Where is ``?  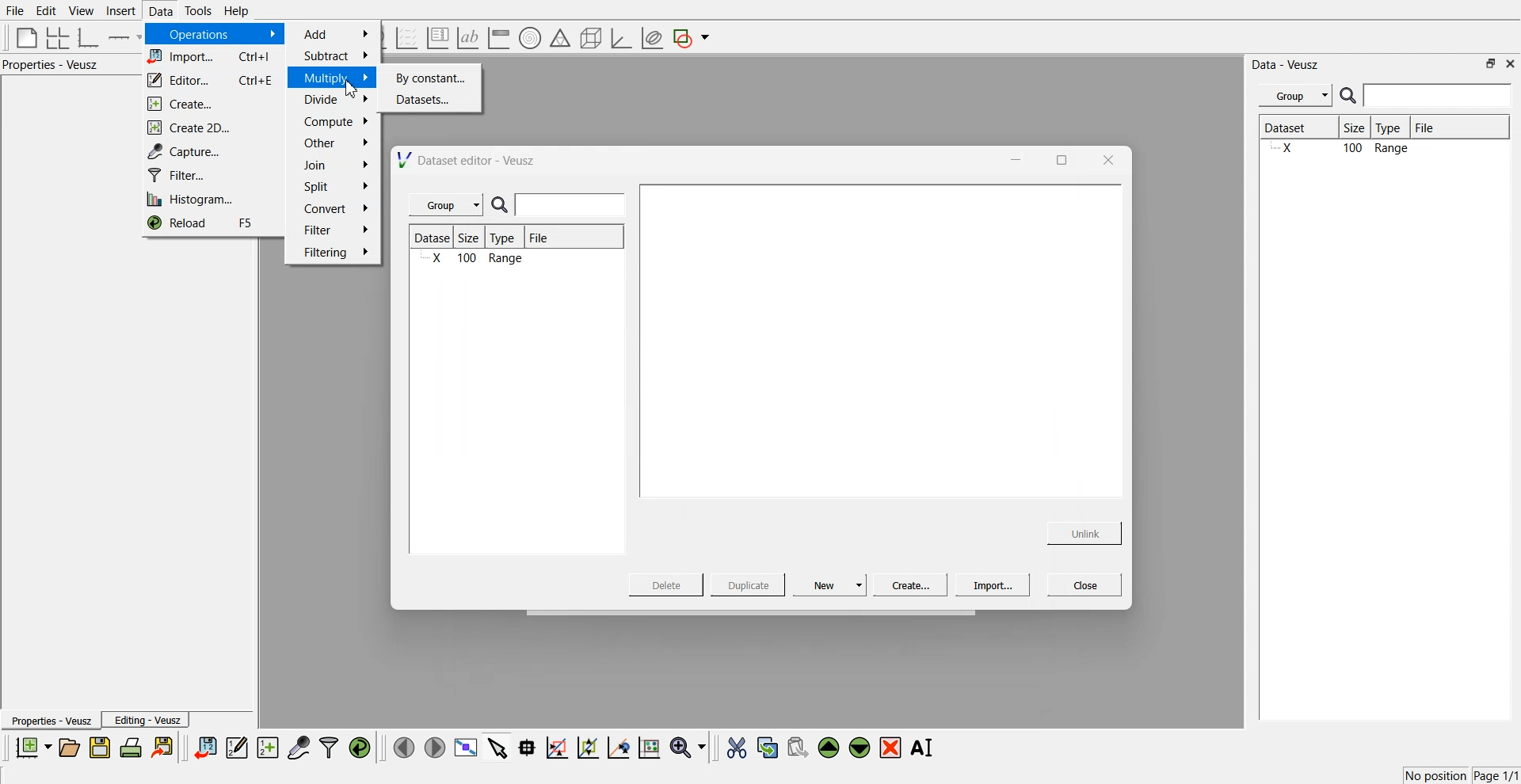  is located at coordinates (1295, 96).